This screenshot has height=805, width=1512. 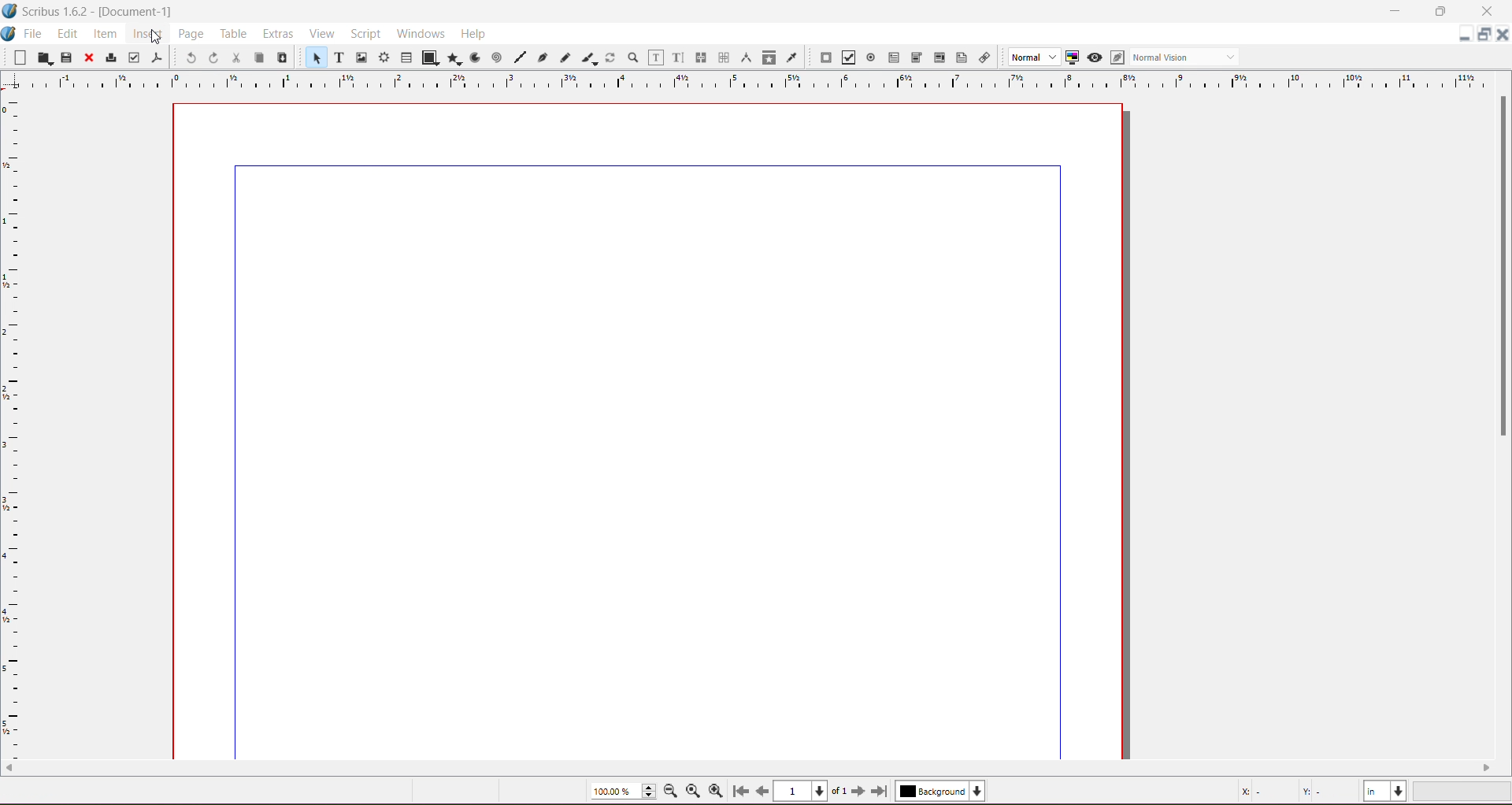 I want to click on Save as PDF, so click(x=159, y=57).